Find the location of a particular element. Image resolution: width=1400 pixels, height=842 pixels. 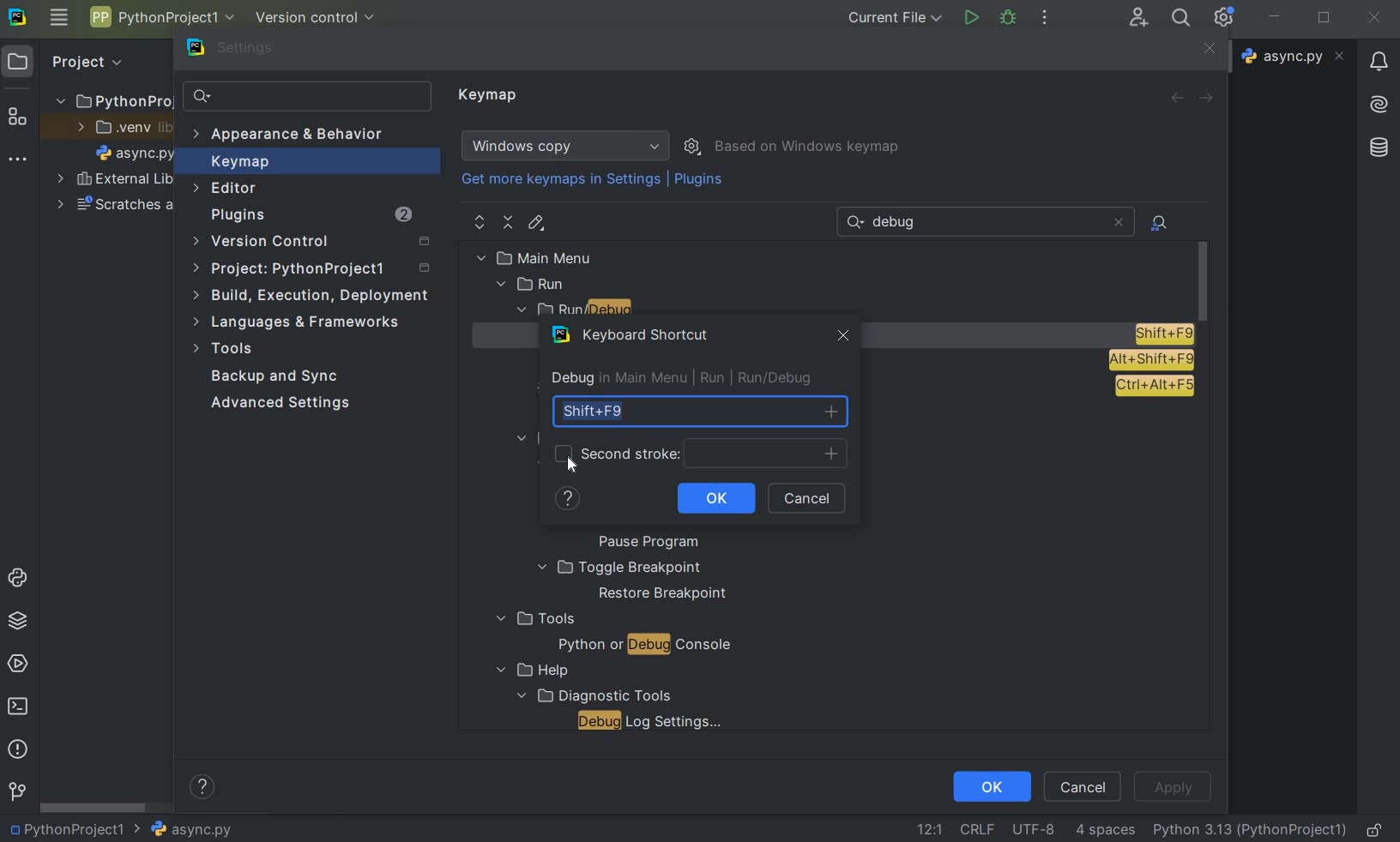

back is located at coordinates (1176, 98).